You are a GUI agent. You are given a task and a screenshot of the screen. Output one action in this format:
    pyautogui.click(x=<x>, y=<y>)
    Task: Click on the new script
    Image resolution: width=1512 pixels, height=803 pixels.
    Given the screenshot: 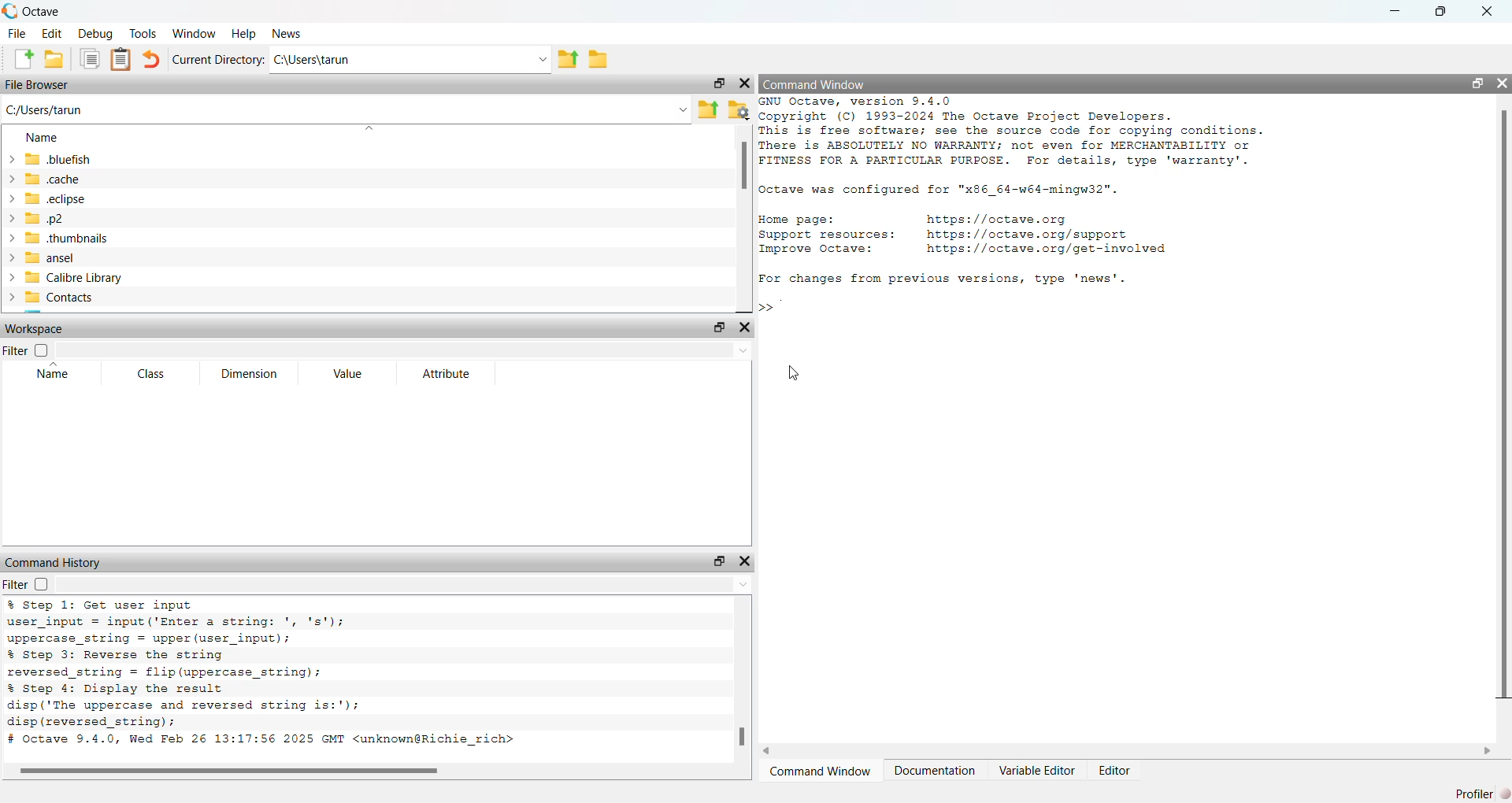 What is the action you would take?
    pyautogui.click(x=20, y=60)
    